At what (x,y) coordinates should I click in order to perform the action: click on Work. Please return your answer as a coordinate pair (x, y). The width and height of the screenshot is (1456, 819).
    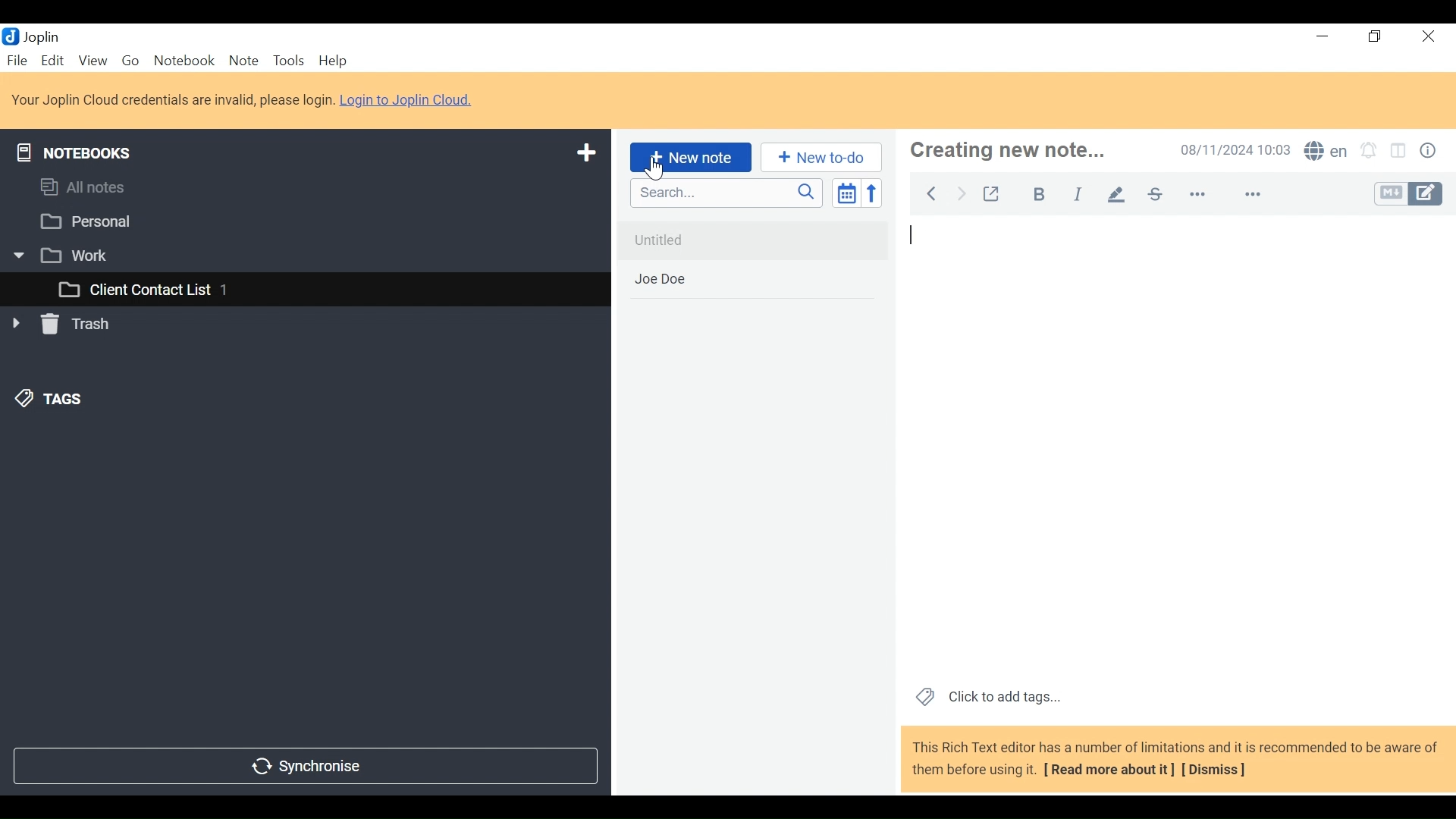
    Looking at the image, I should click on (296, 255).